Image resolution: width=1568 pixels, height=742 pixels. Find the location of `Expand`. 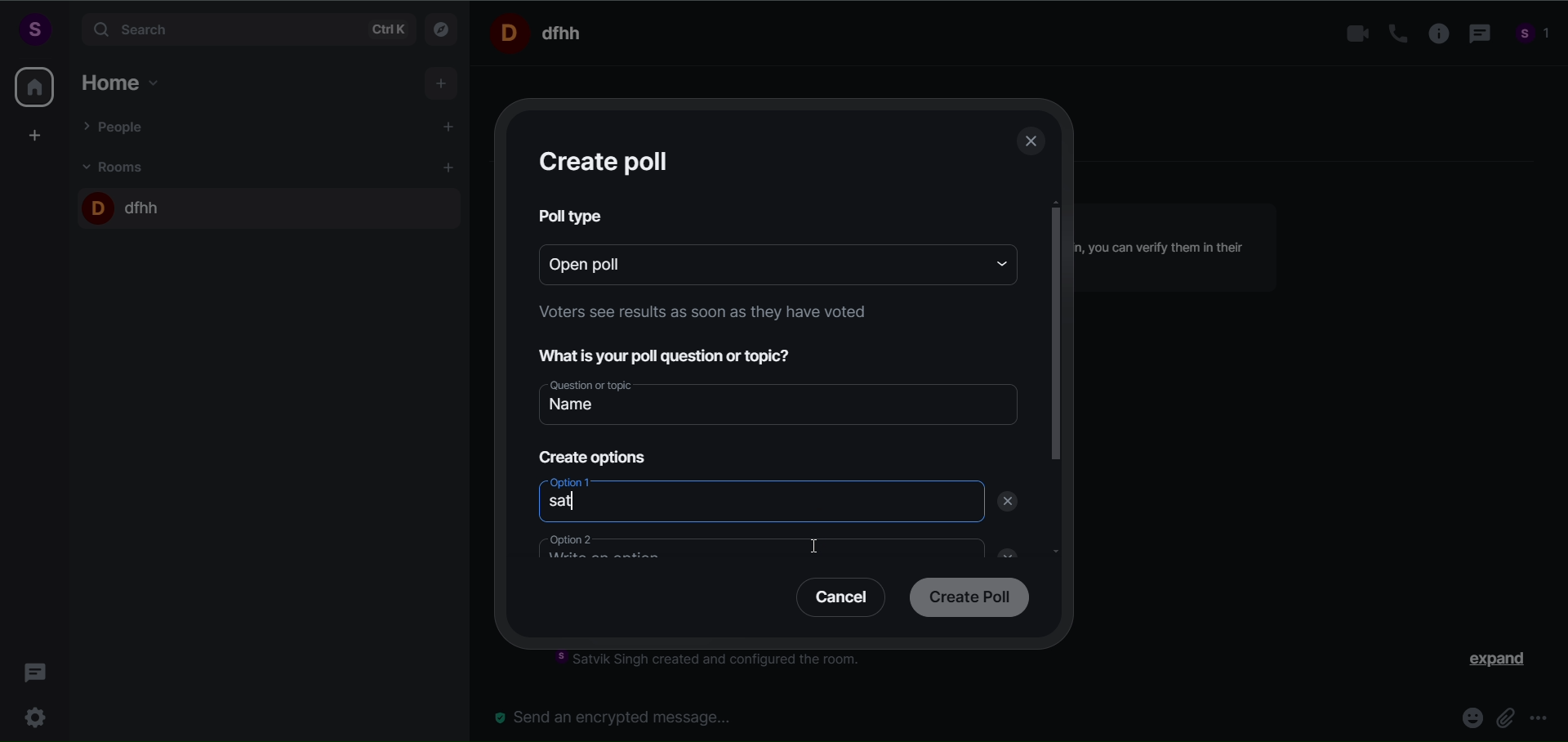

Expand is located at coordinates (1487, 663).